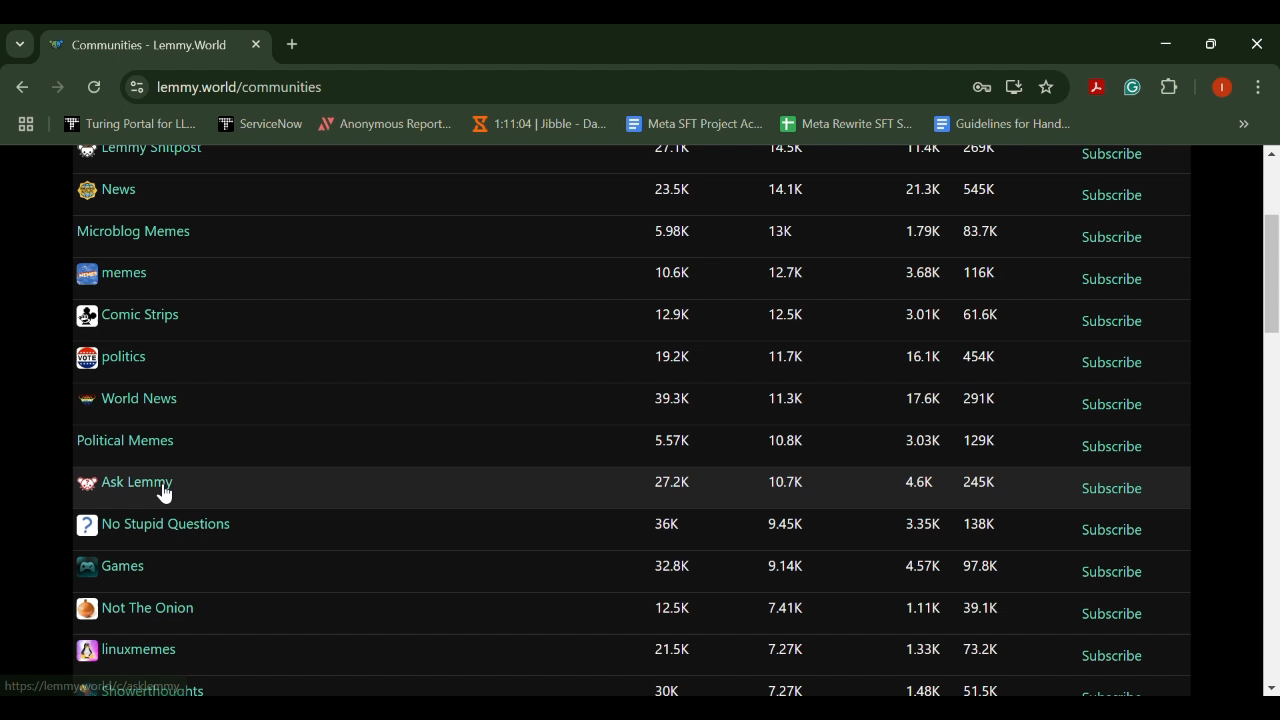 Image resolution: width=1280 pixels, height=720 pixels. What do you see at coordinates (254, 44) in the screenshot?
I see `Close Tab` at bounding box center [254, 44].